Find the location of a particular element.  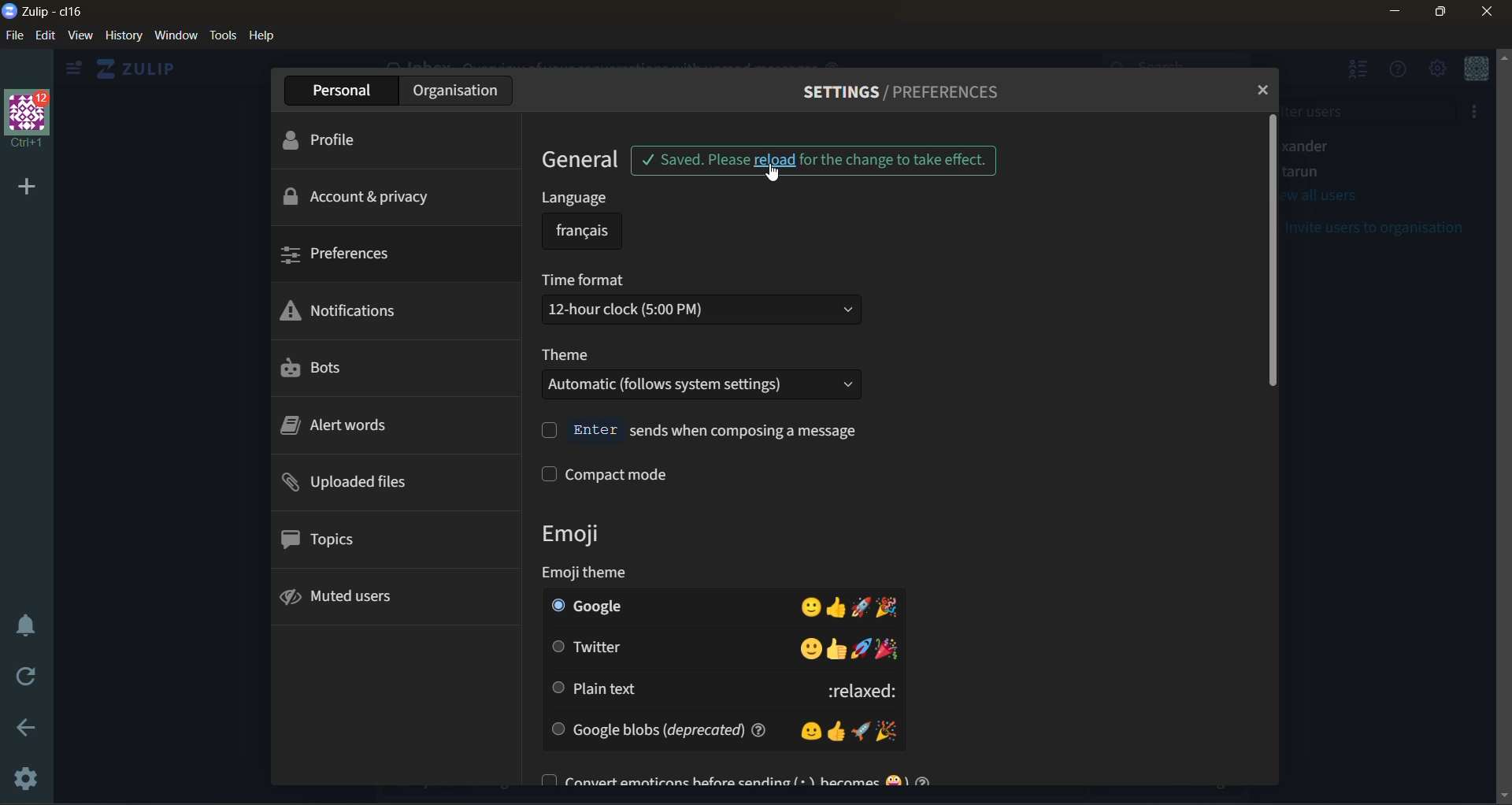

notifications is located at coordinates (353, 312).